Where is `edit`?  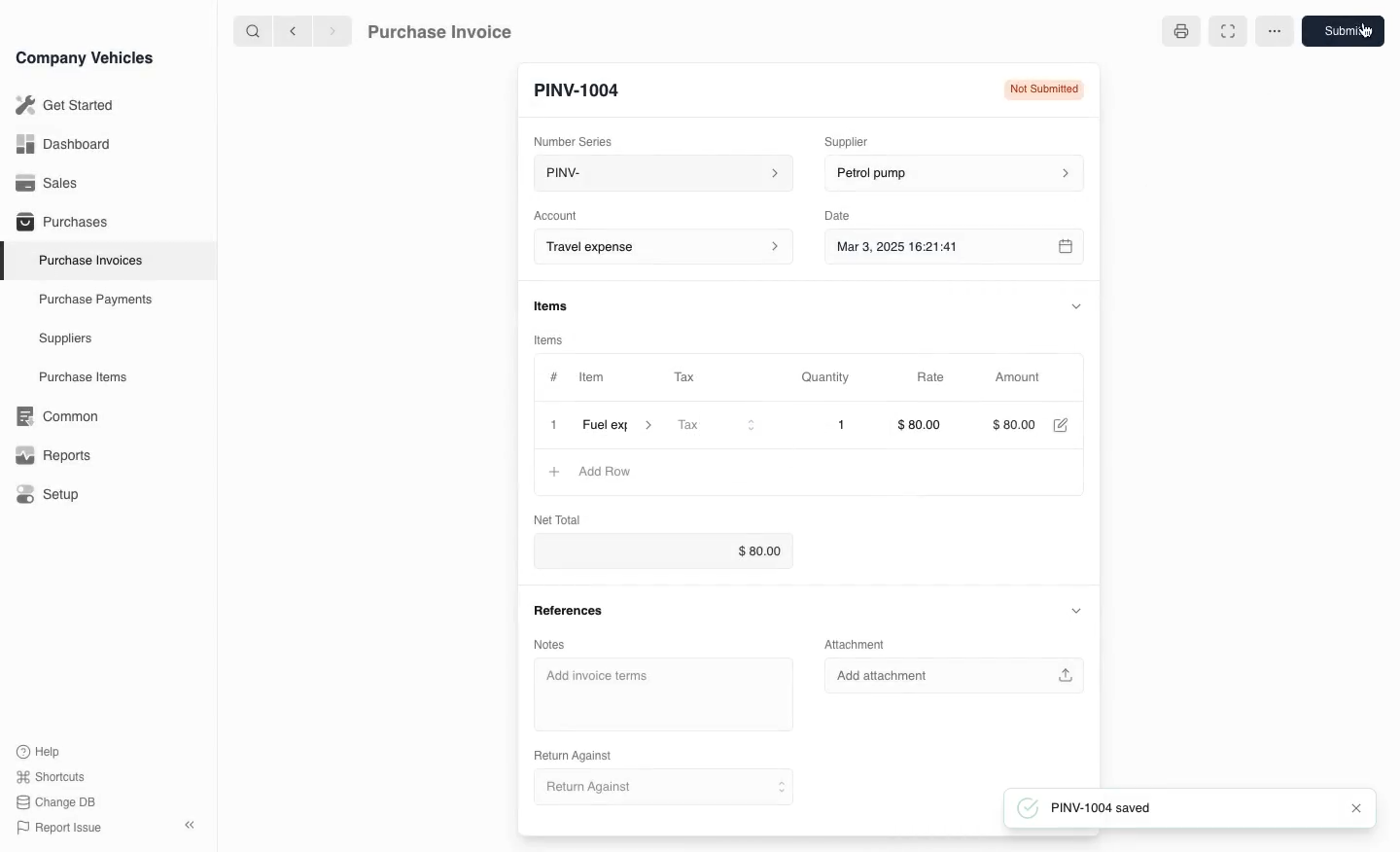
edit is located at coordinates (1063, 426).